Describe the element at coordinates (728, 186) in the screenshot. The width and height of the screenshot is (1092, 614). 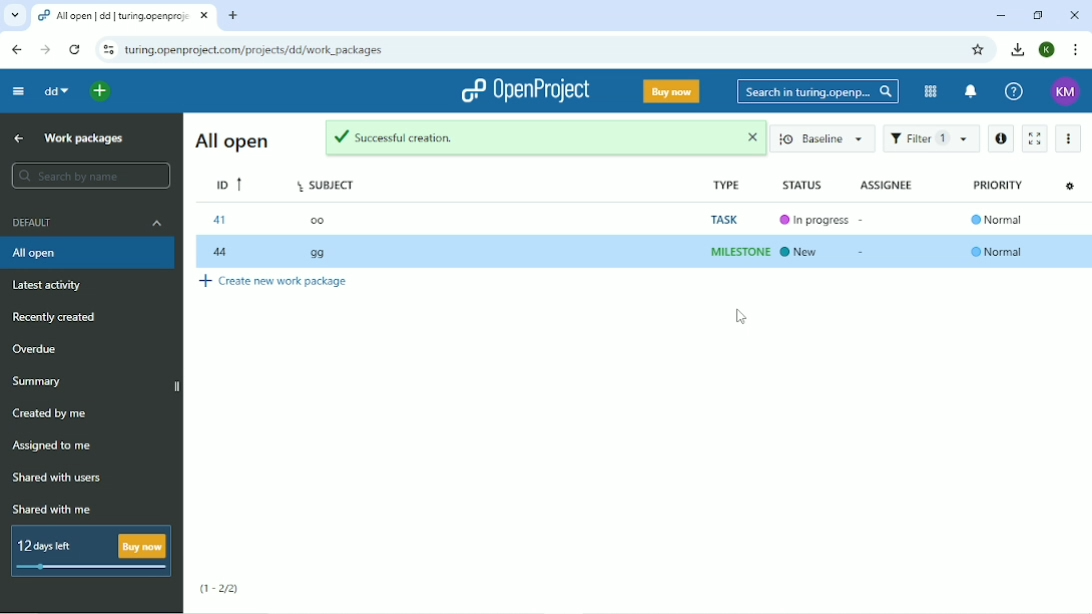
I see `Type` at that location.